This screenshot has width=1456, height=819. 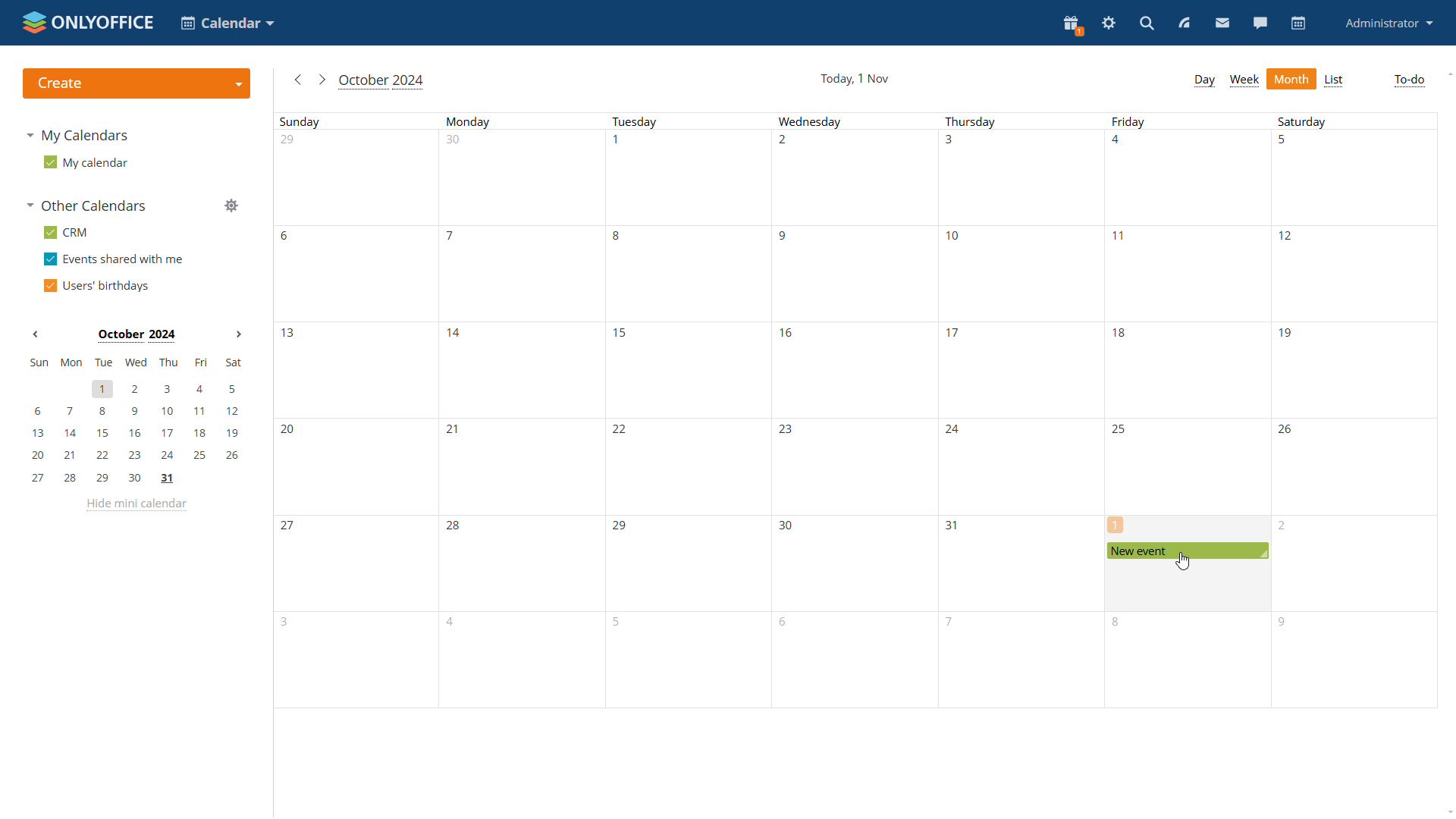 What do you see at coordinates (1221, 23) in the screenshot?
I see `mail` at bounding box center [1221, 23].